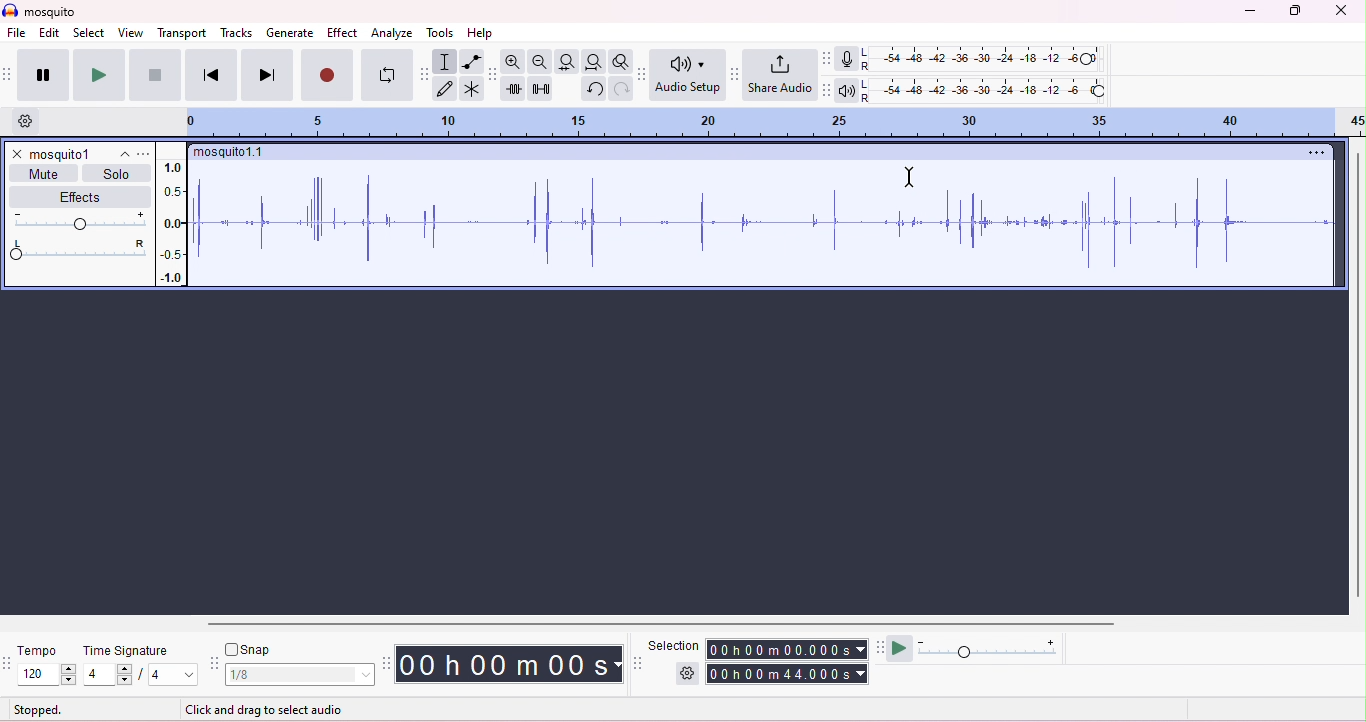 The width and height of the screenshot is (1366, 722). What do you see at coordinates (688, 672) in the screenshot?
I see `selection options` at bounding box center [688, 672].